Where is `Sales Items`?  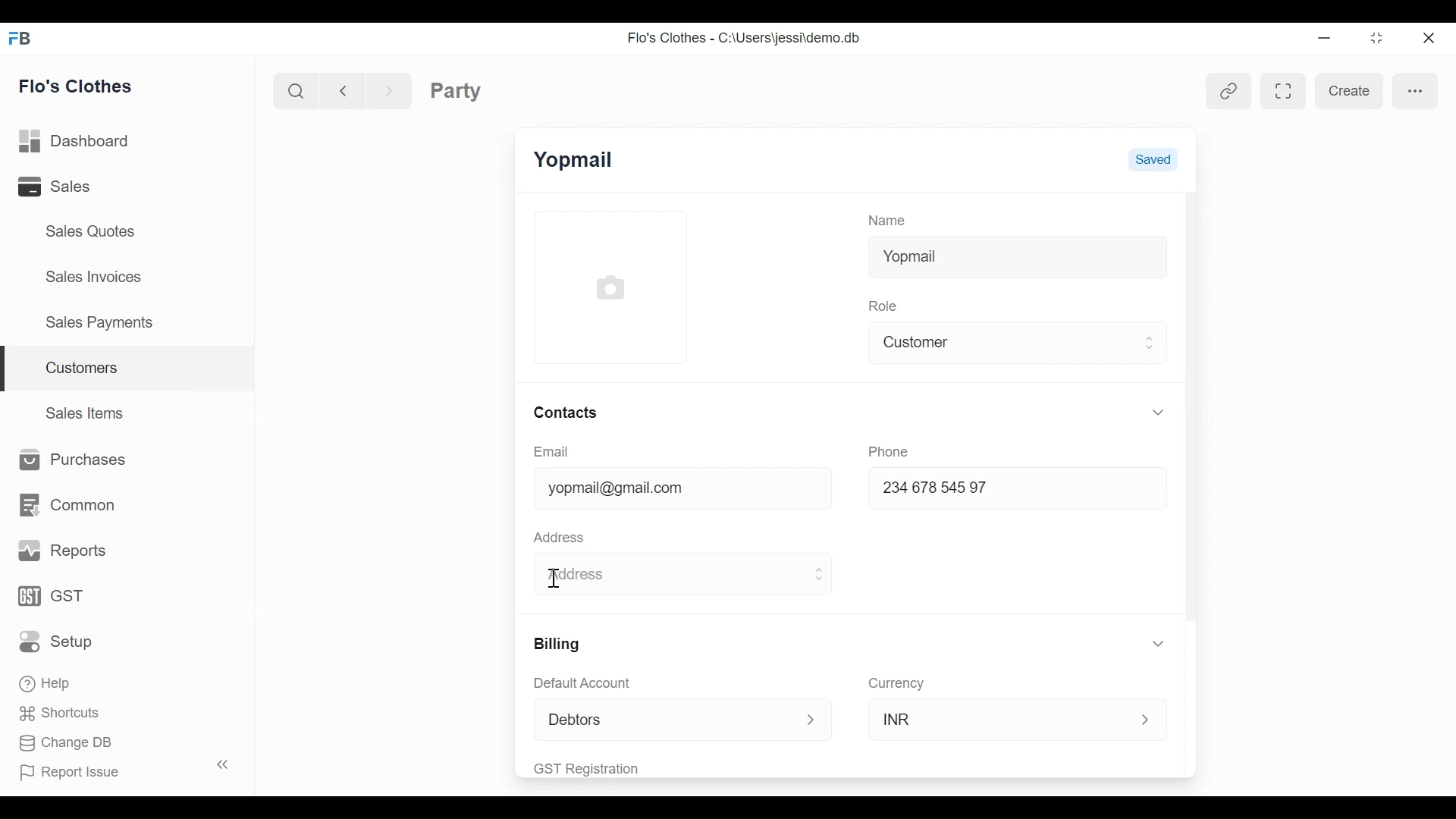
Sales Items is located at coordinates (86, 411).